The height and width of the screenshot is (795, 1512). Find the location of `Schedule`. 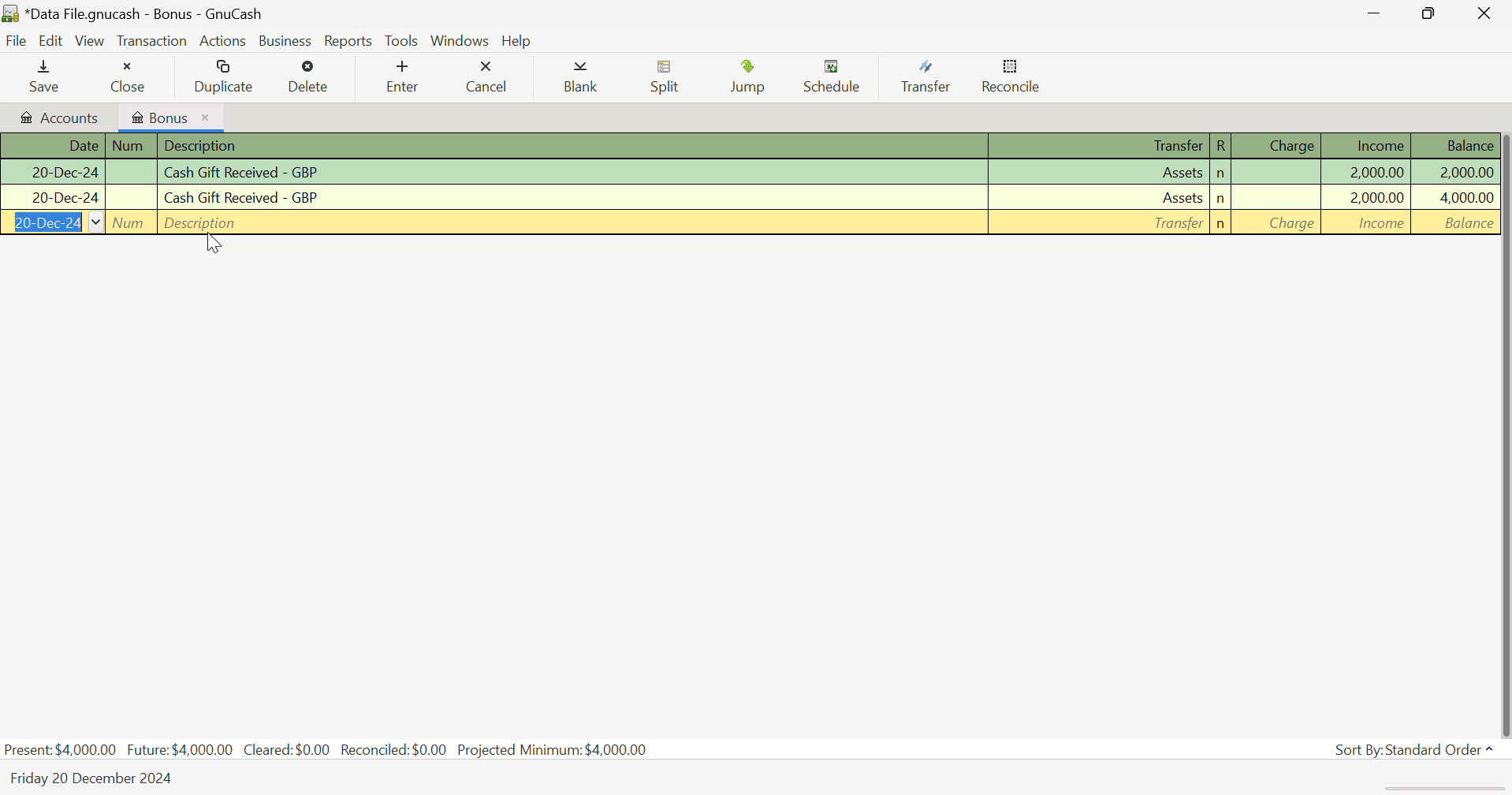

Schedule is located at coordinates (836, 77).